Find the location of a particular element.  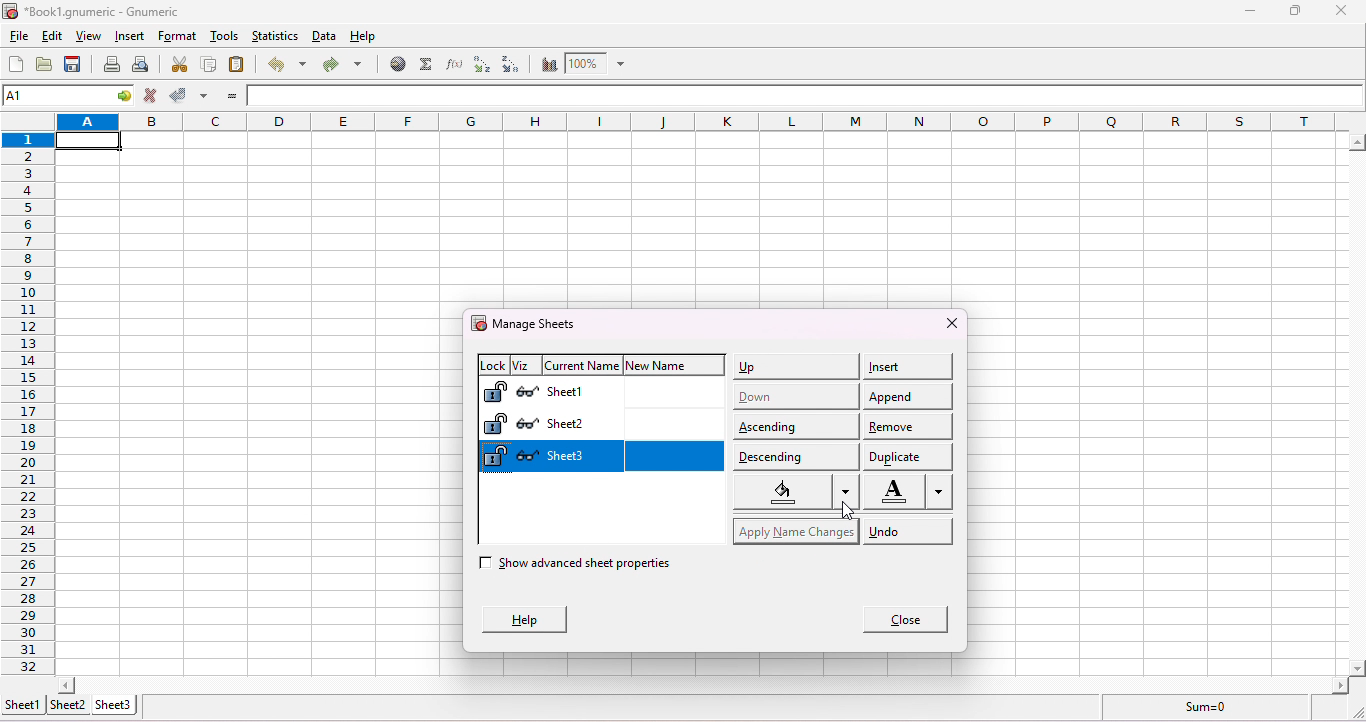

go to is located at coordinates (126, 96).